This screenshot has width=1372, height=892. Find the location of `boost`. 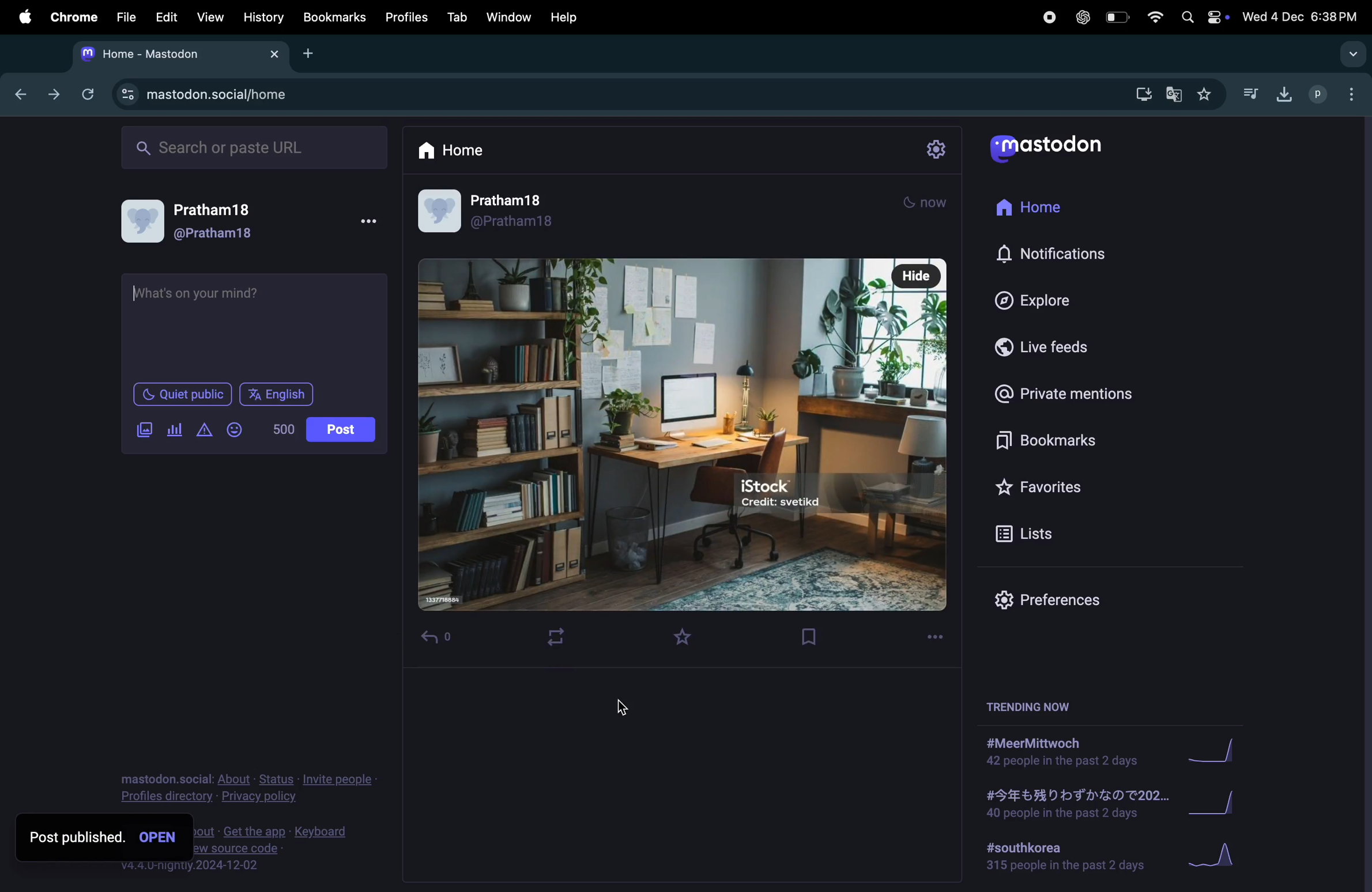

boost is located at coordinates (557, 637).